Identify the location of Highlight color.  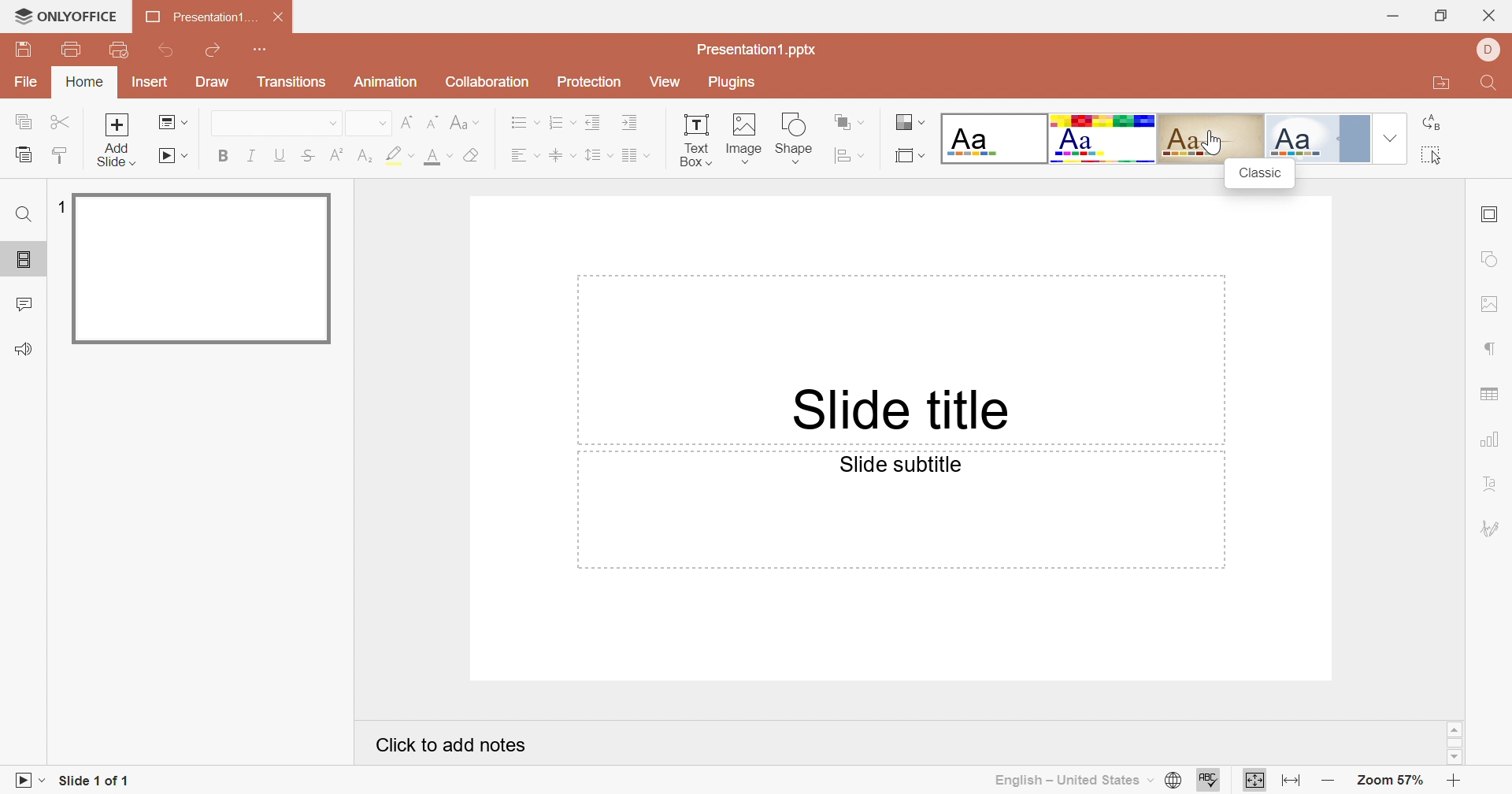
(391, 154).